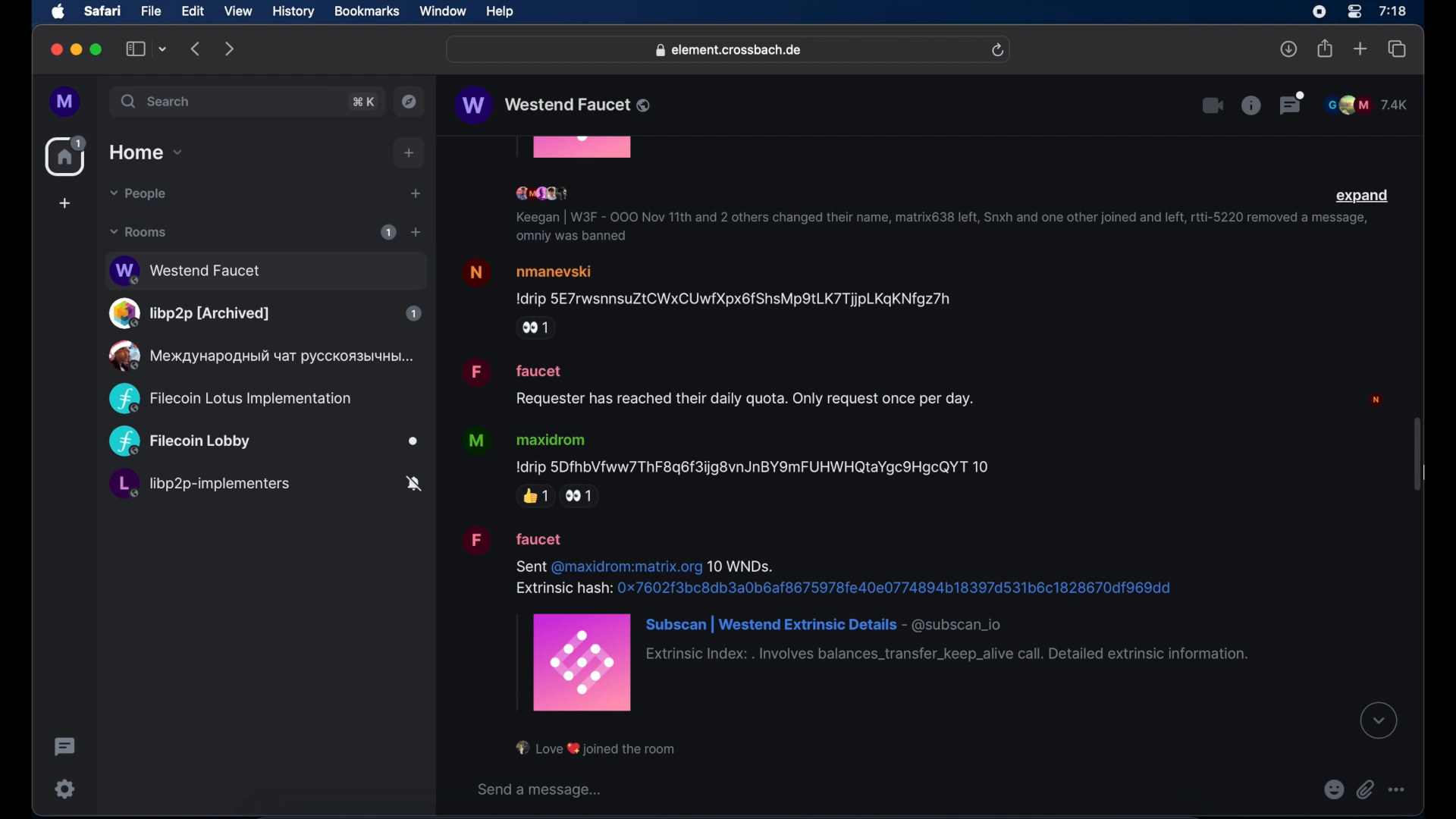 The height and width of the screenshot is (819, 1456). I want to click on side ye reaction, so click(583, 497).